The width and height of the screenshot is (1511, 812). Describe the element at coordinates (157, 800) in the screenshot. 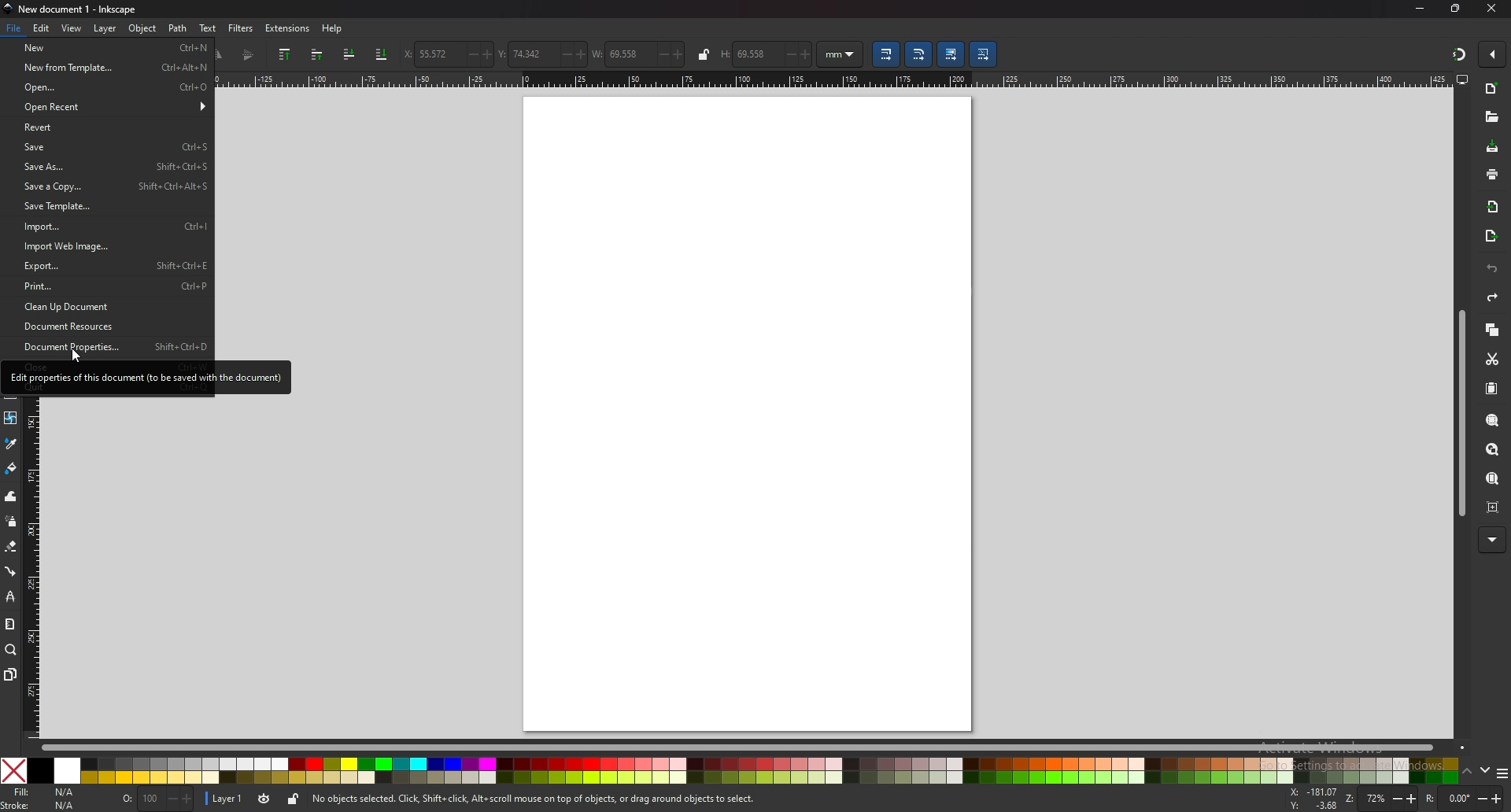

I see `nothing selected` at that location.